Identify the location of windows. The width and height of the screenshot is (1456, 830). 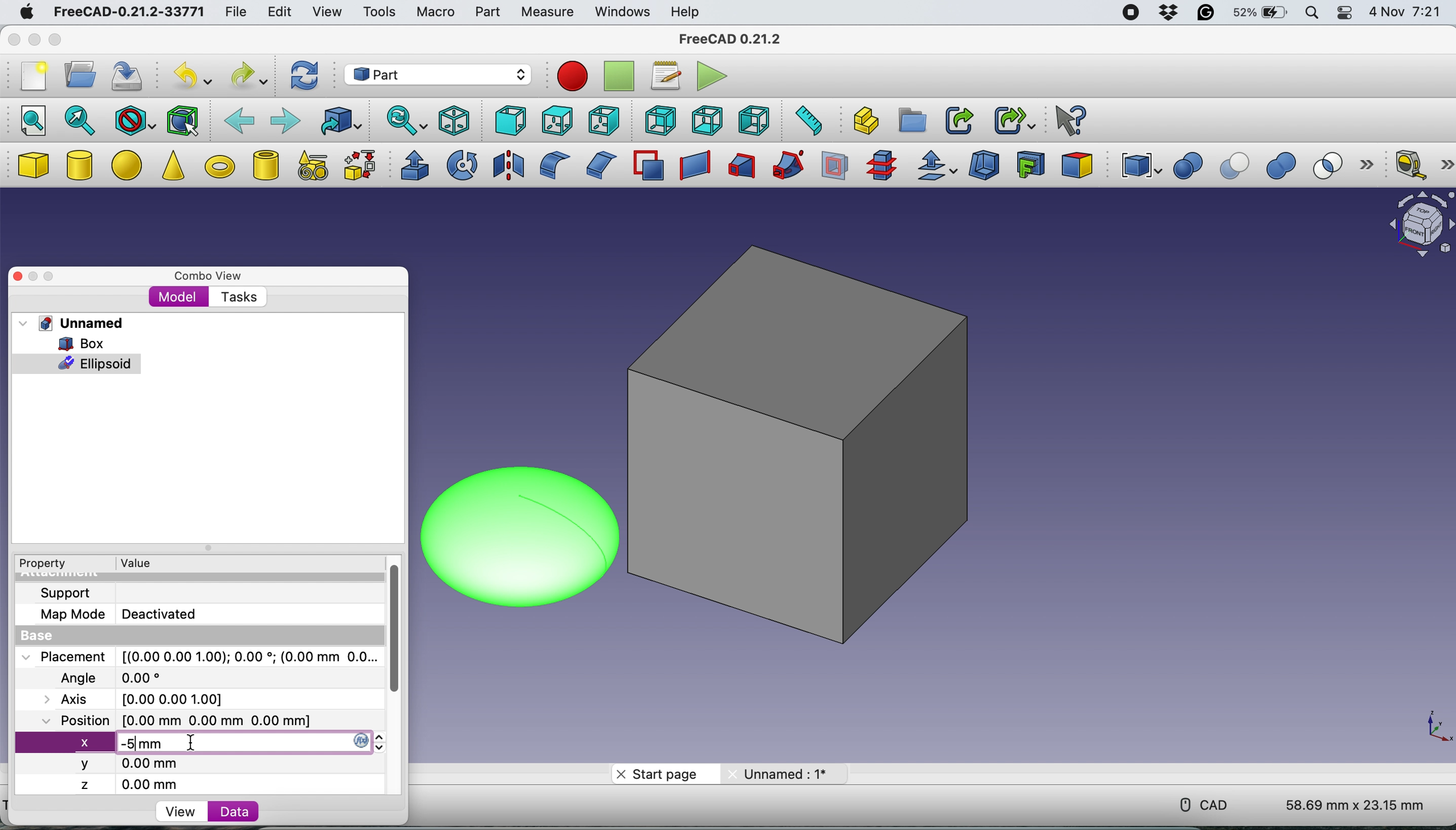
(622, 13).